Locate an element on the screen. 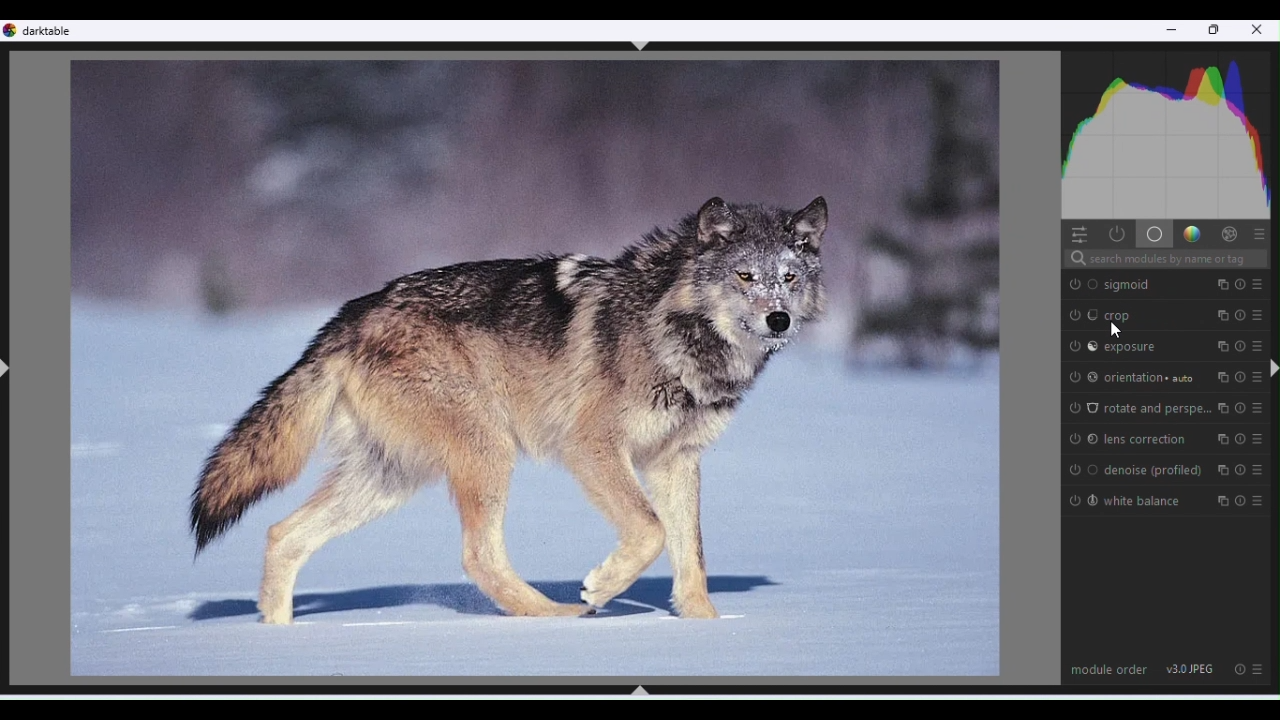  Reset is located at coordinates (1238, 668).